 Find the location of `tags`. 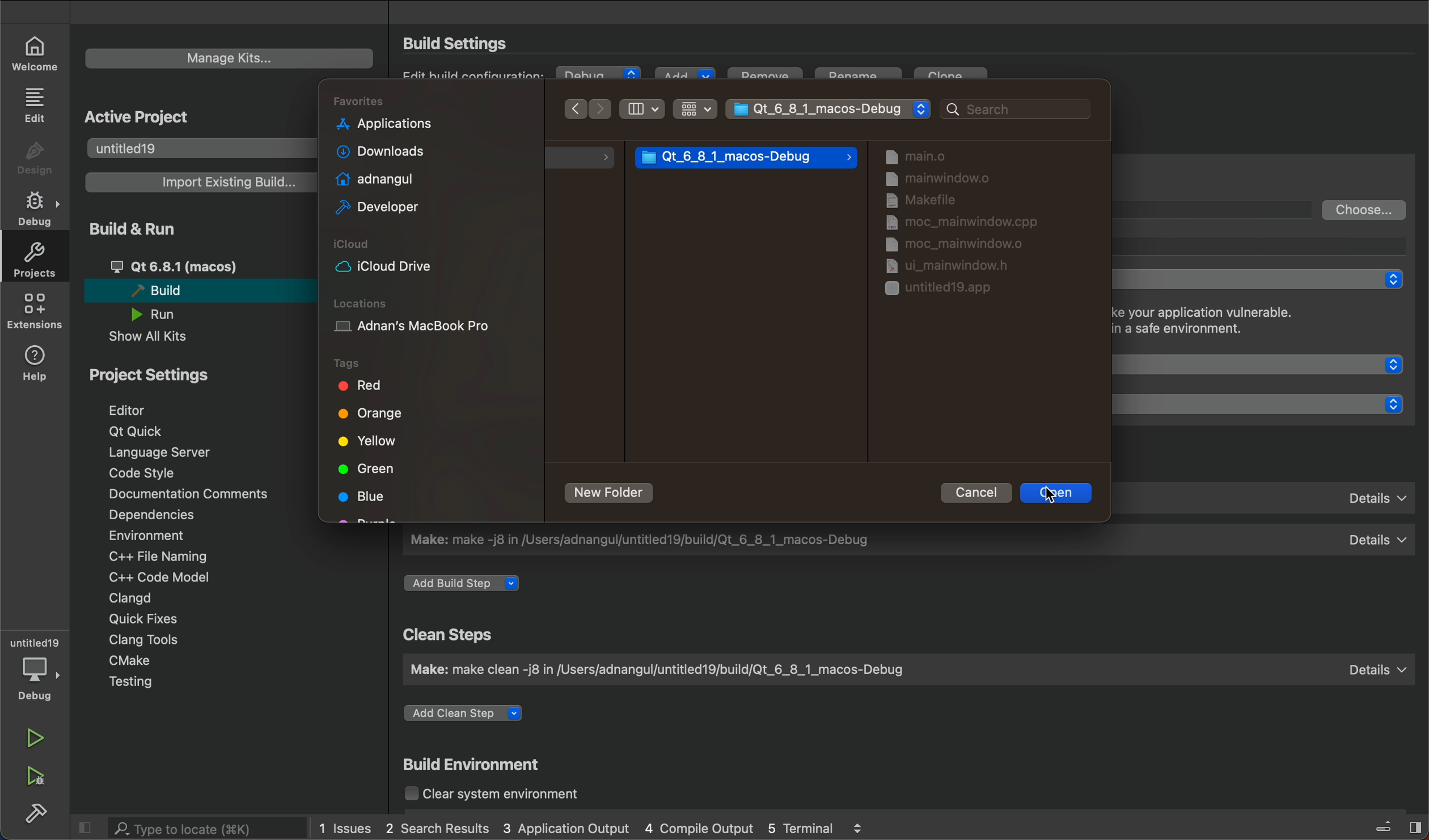

tags is located at coordinates (373, 361).